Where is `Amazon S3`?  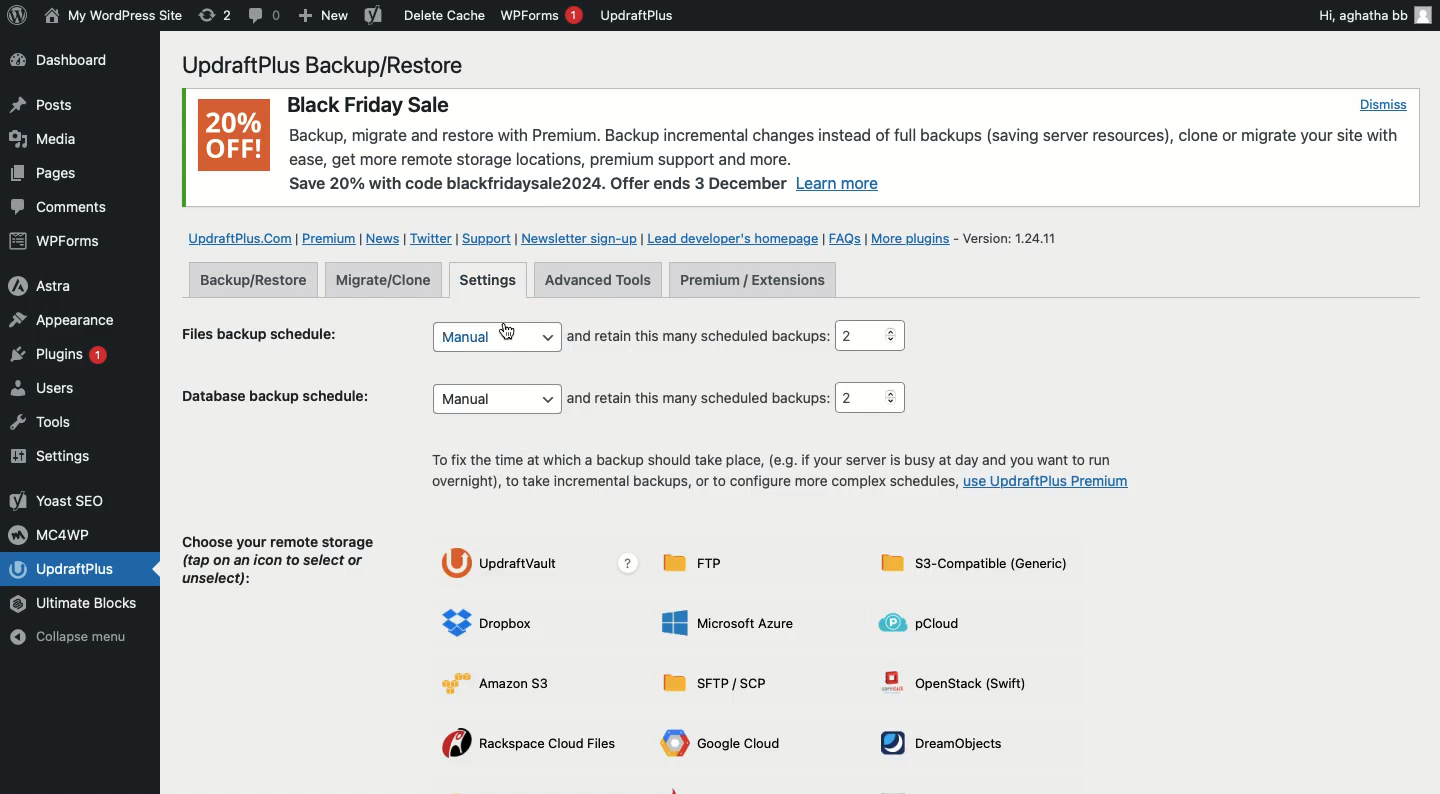 Amazon S3 is located at coordinates (511, 682).